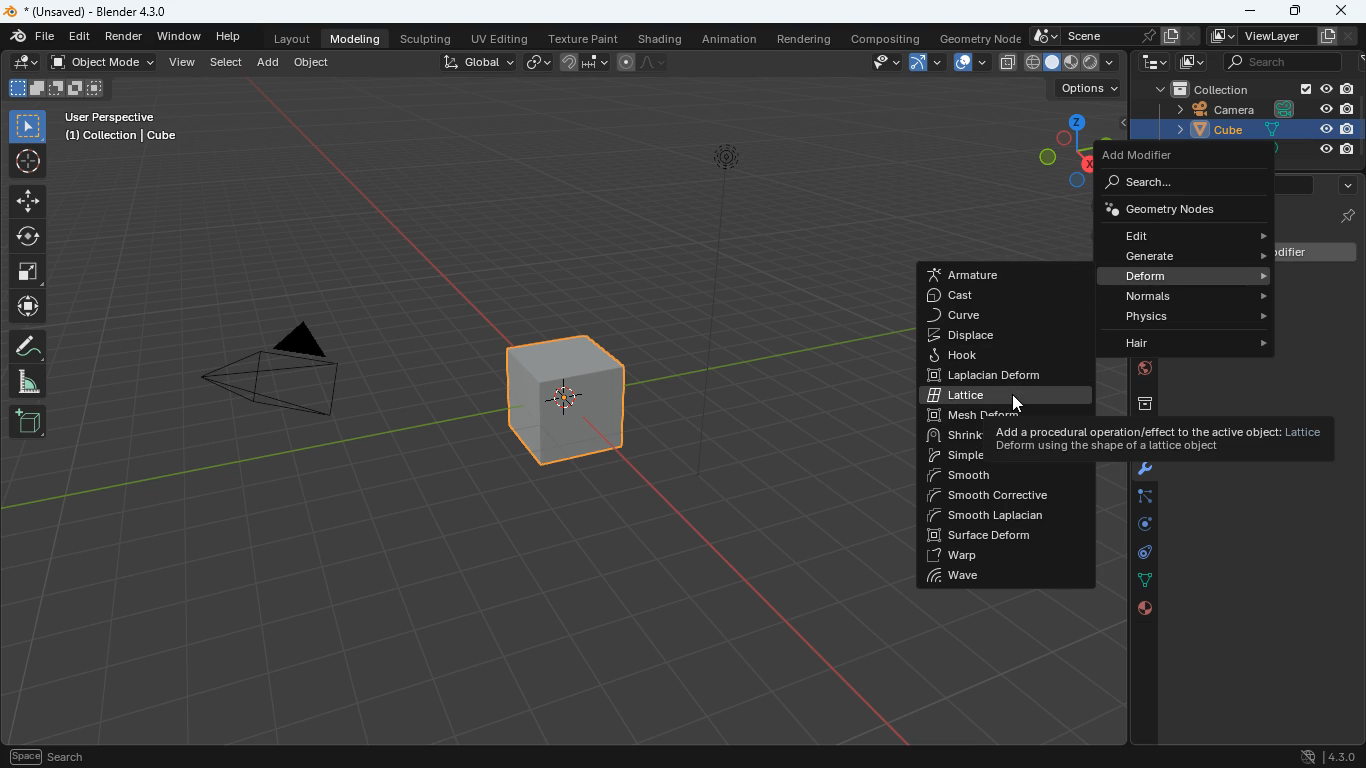  Describe the element at coordinates (24, 61) in the screenshot. I see `edit` at that location.